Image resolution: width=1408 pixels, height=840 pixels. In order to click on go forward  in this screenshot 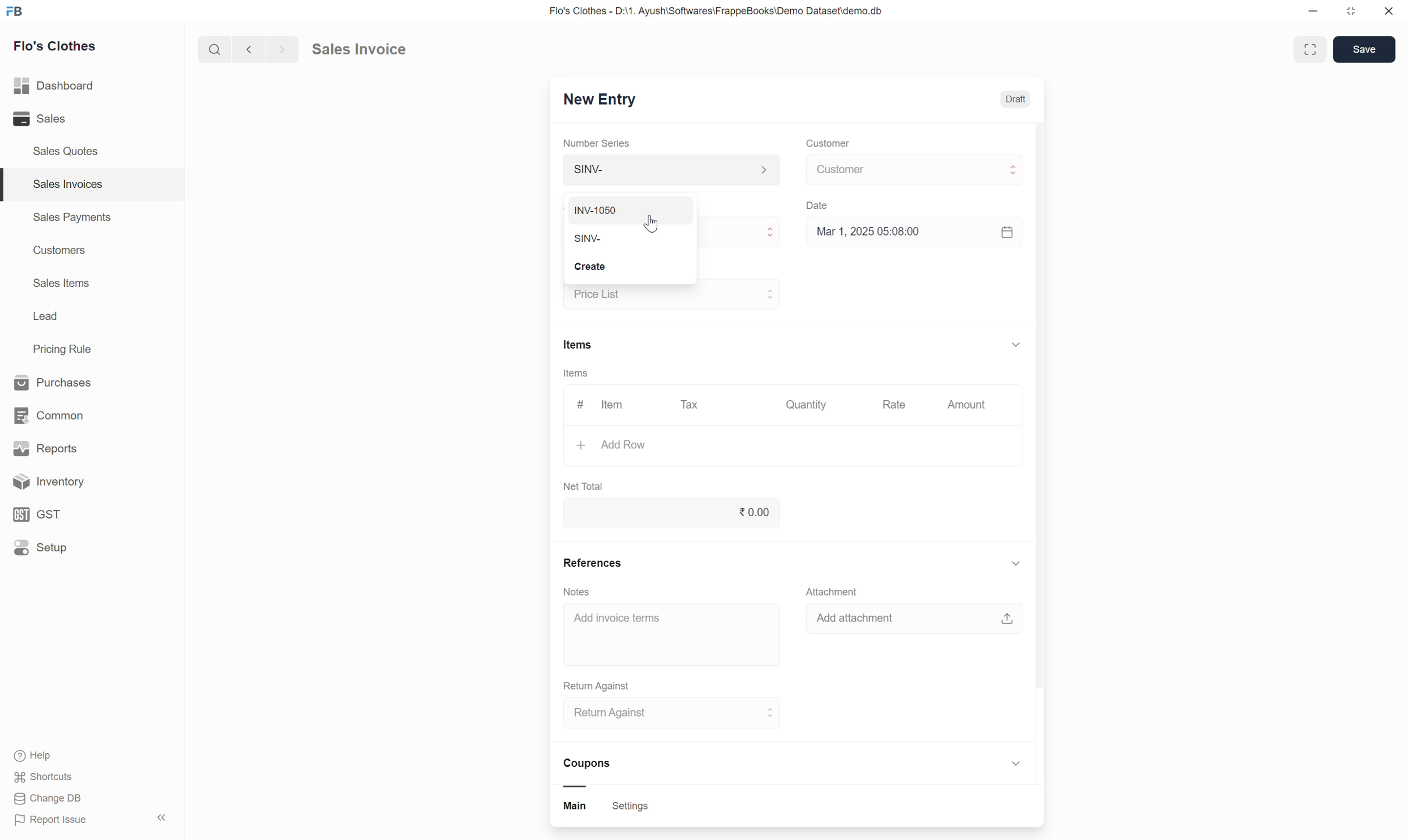, I will do `click(279, 52)`.